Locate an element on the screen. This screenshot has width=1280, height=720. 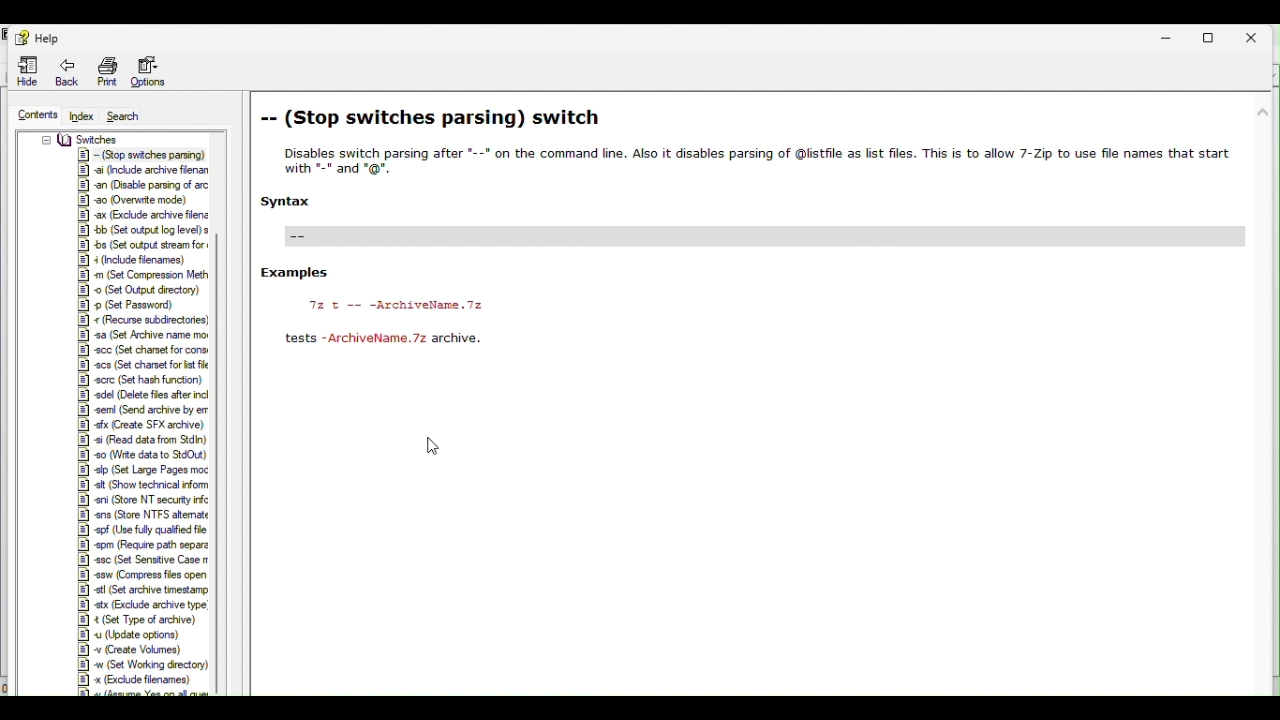
Search is located at coordinates (127, 117).